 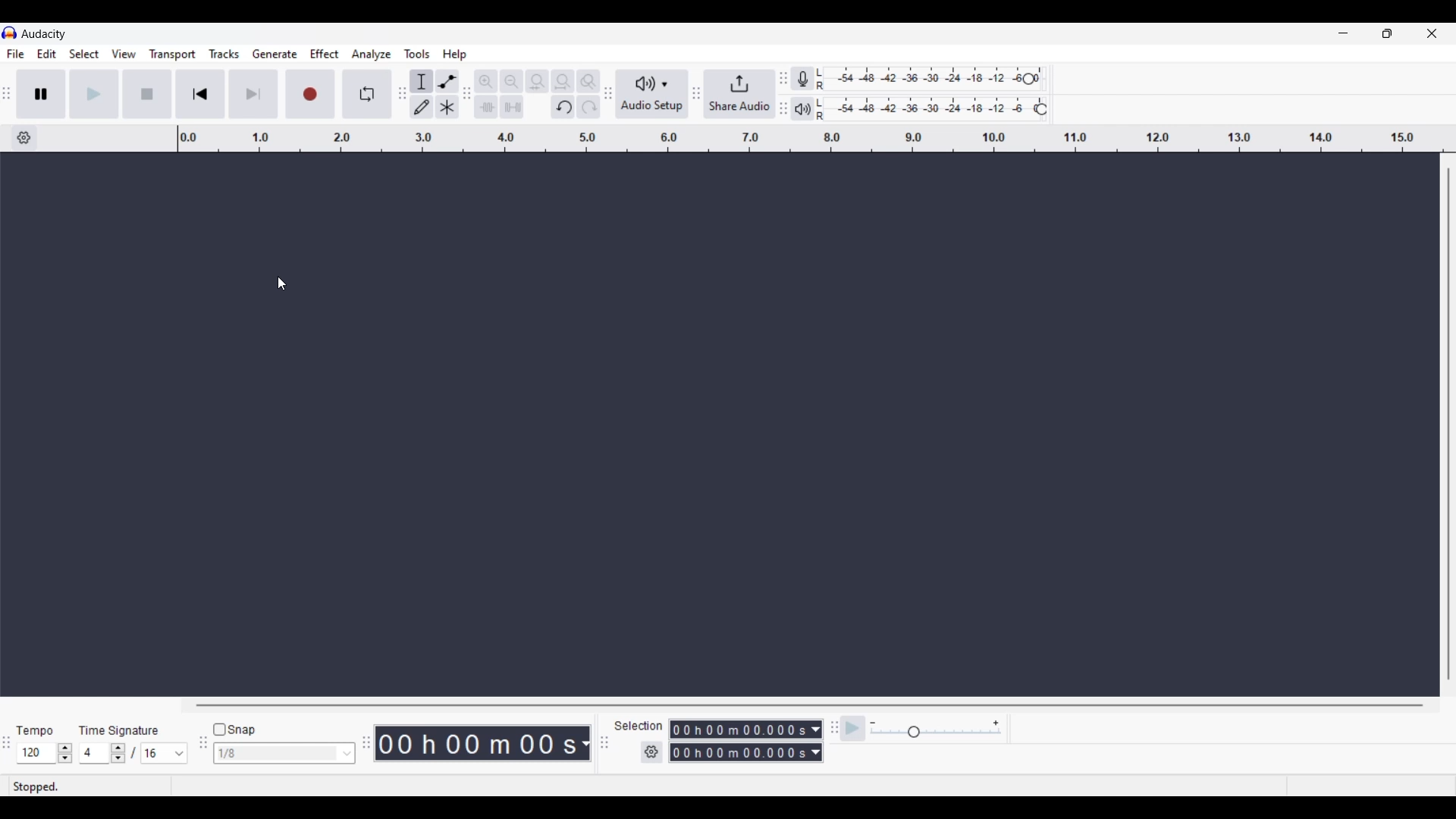 What do you see at coordinates (723, 425) in the screenshot?
I see `Recording space for audio tracks` at bounding box center [723, 425].